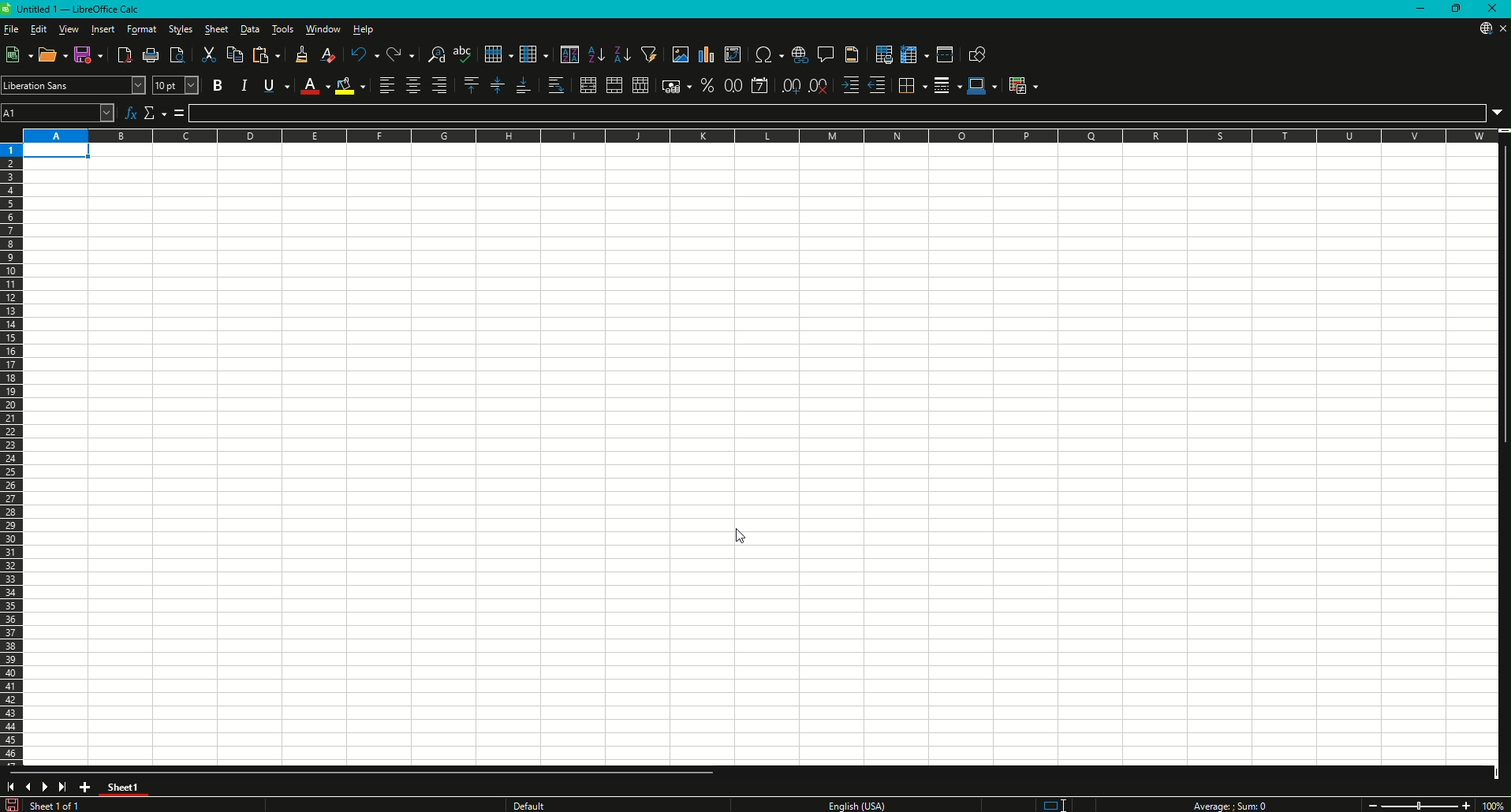 The width and height of the screenshot is (1511, 812). Describe the element at coordinates (707, 85) in the screenshot. I see `Format as Percentage` at that location.